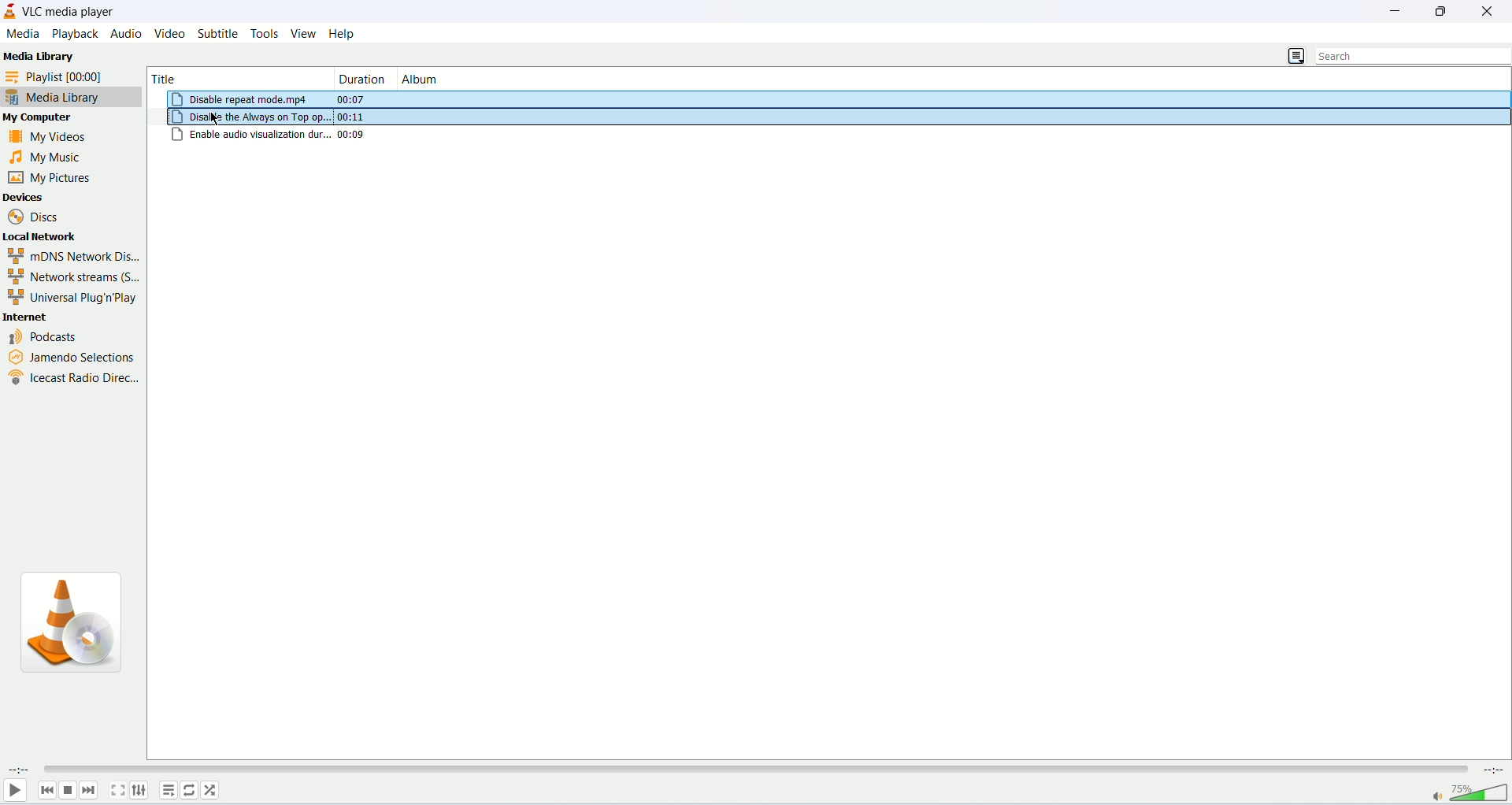 The height and width of the screenshot is (805, 1512). I want to click on view, so click(303, 33).